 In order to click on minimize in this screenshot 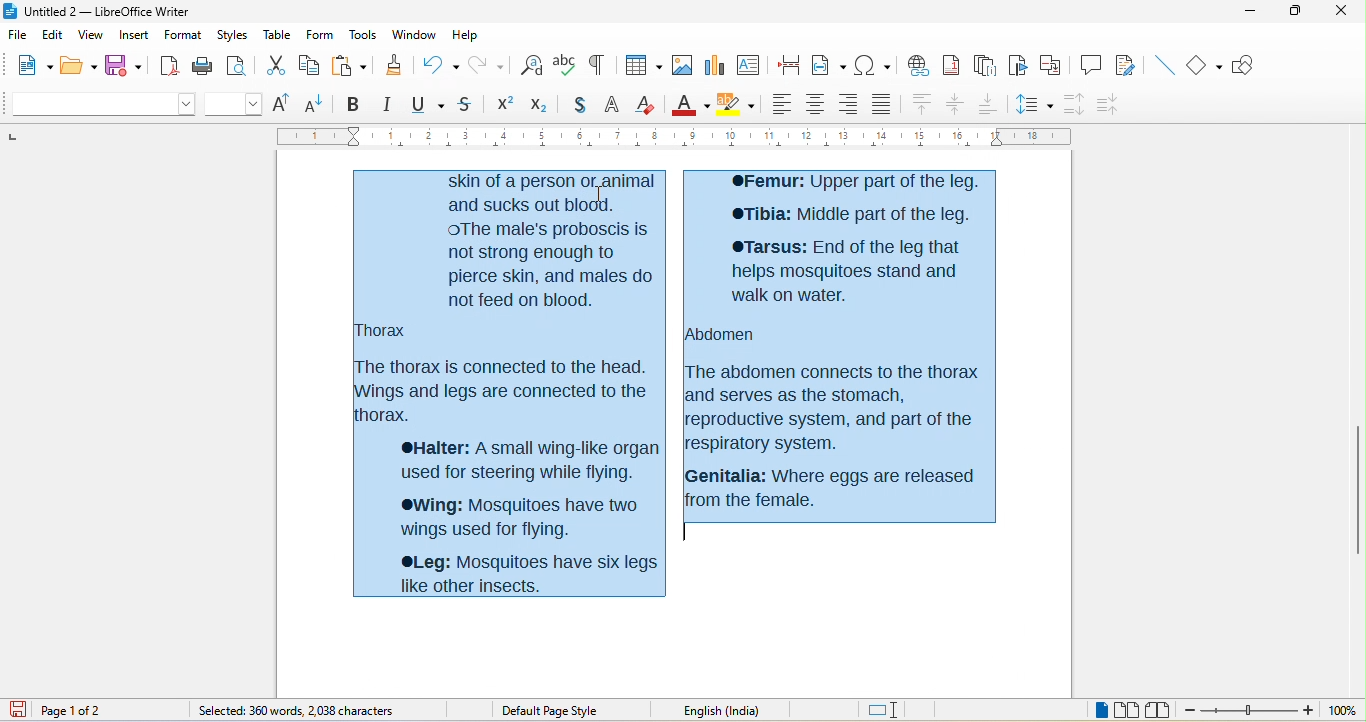, I will do `click(1246, 13)`.